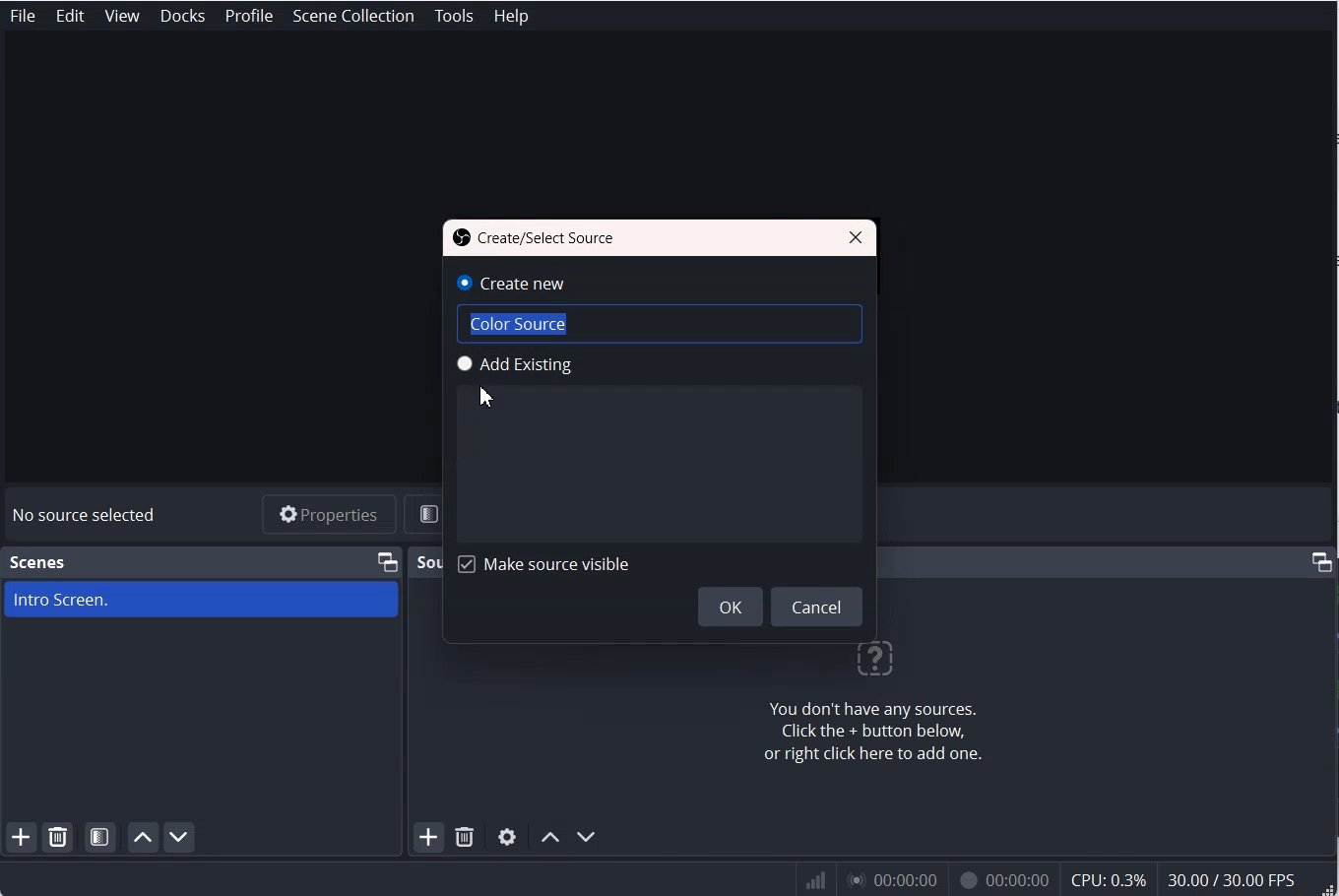  I want to click on Scene Collection, so click(355, 15).